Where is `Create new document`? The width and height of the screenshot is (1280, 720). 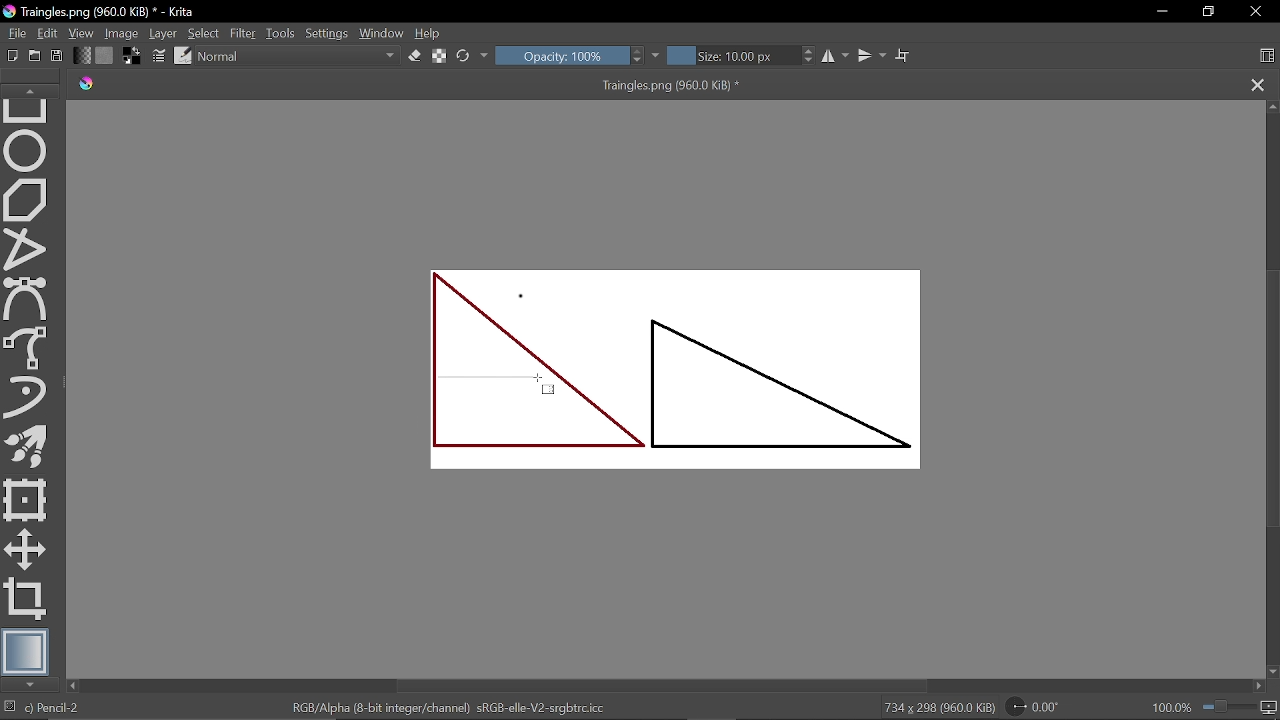 Create new document is located at coordinates (10, 55).